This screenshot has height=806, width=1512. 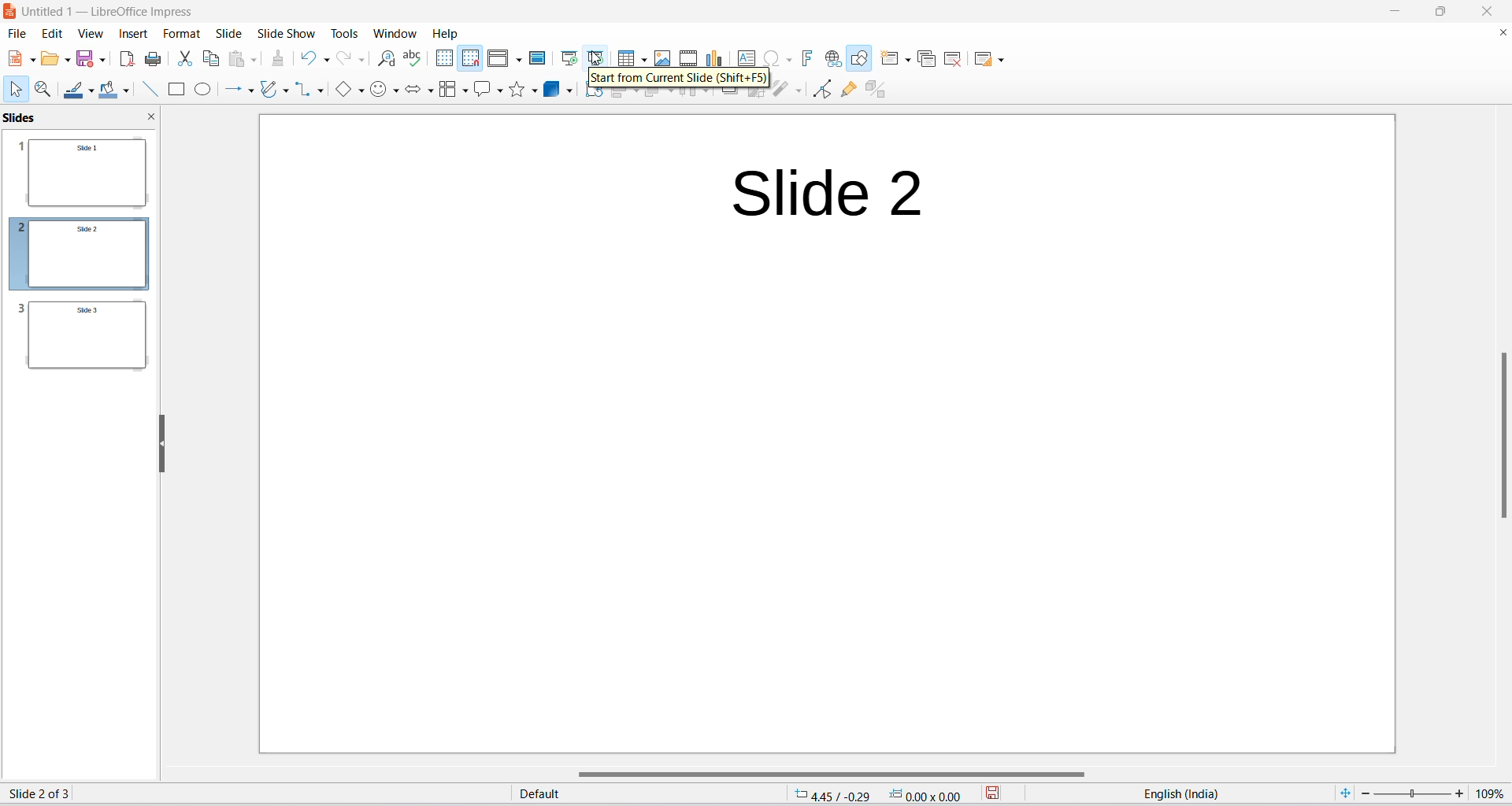 I want to click on stars, so click(x=518, y=91).